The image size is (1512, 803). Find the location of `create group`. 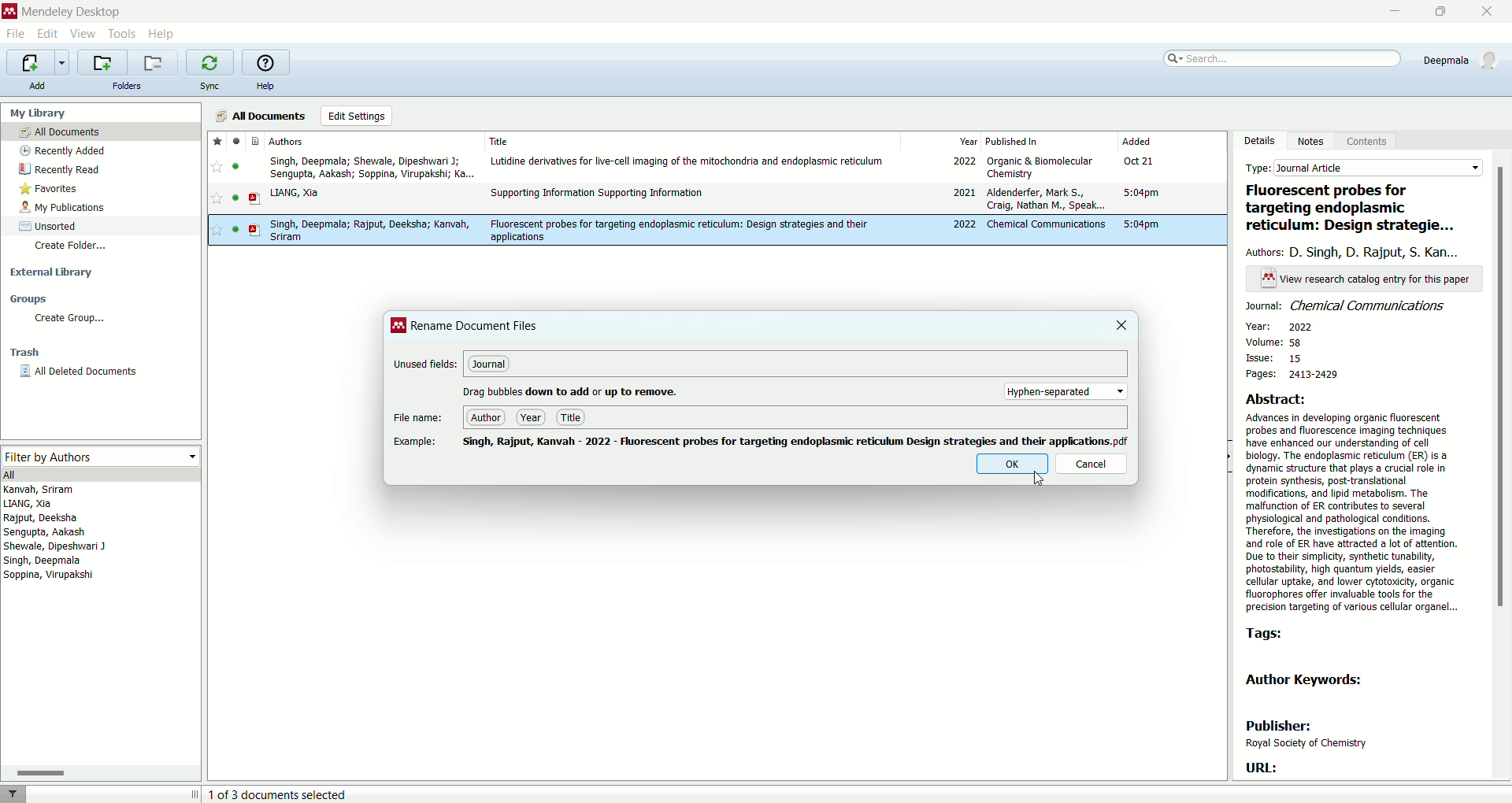

create group is located at coordinates (68, 320).